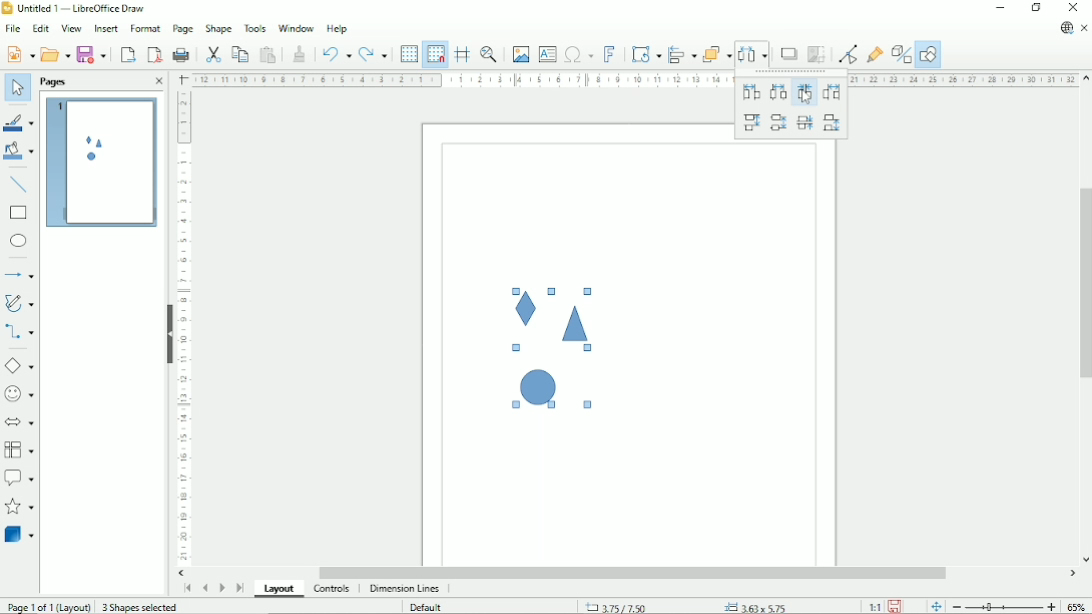  I want to click on Zoom & pan, so click(488, 54).